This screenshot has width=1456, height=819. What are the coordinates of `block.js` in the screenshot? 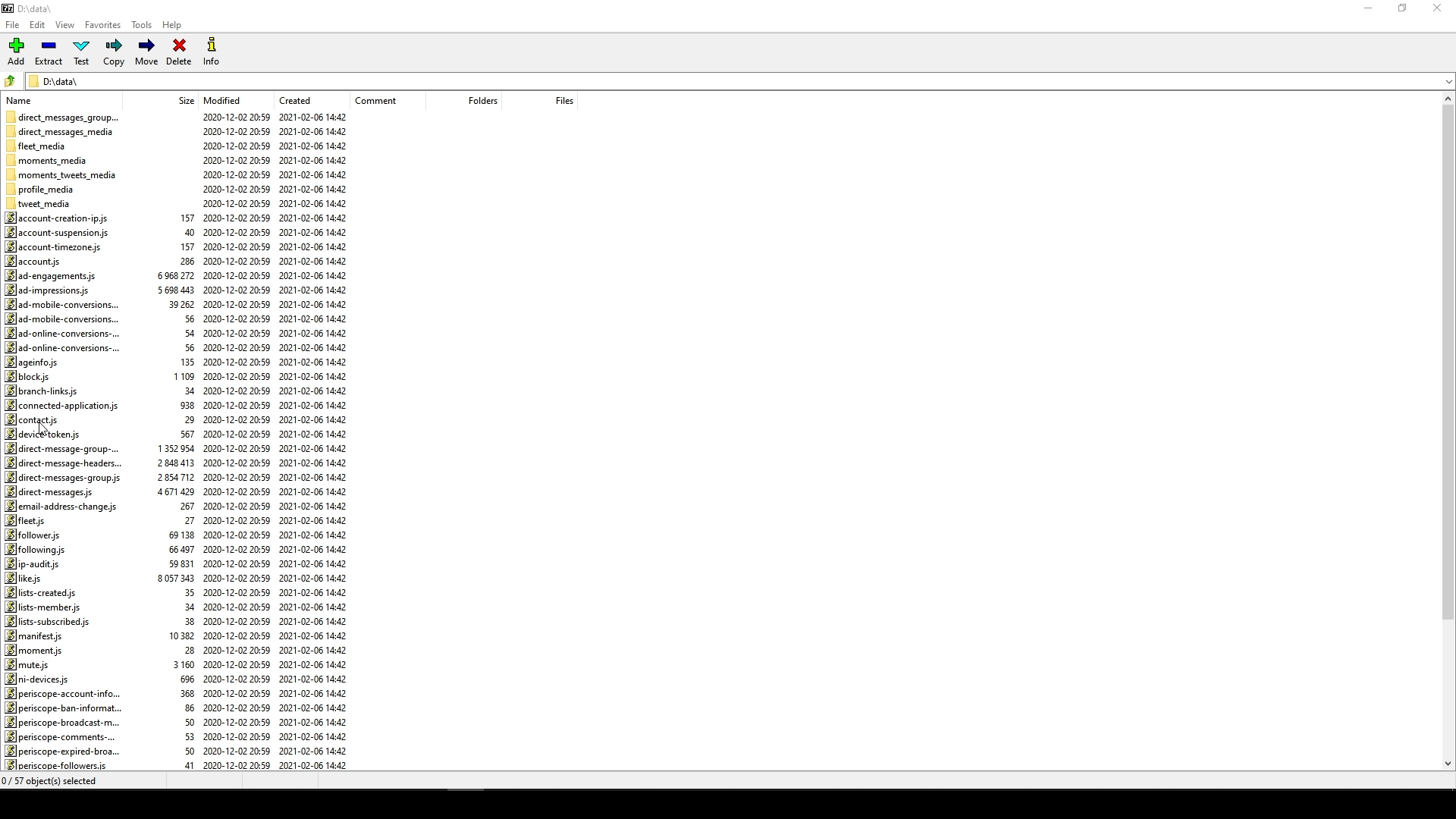 It's located at (28, 377).